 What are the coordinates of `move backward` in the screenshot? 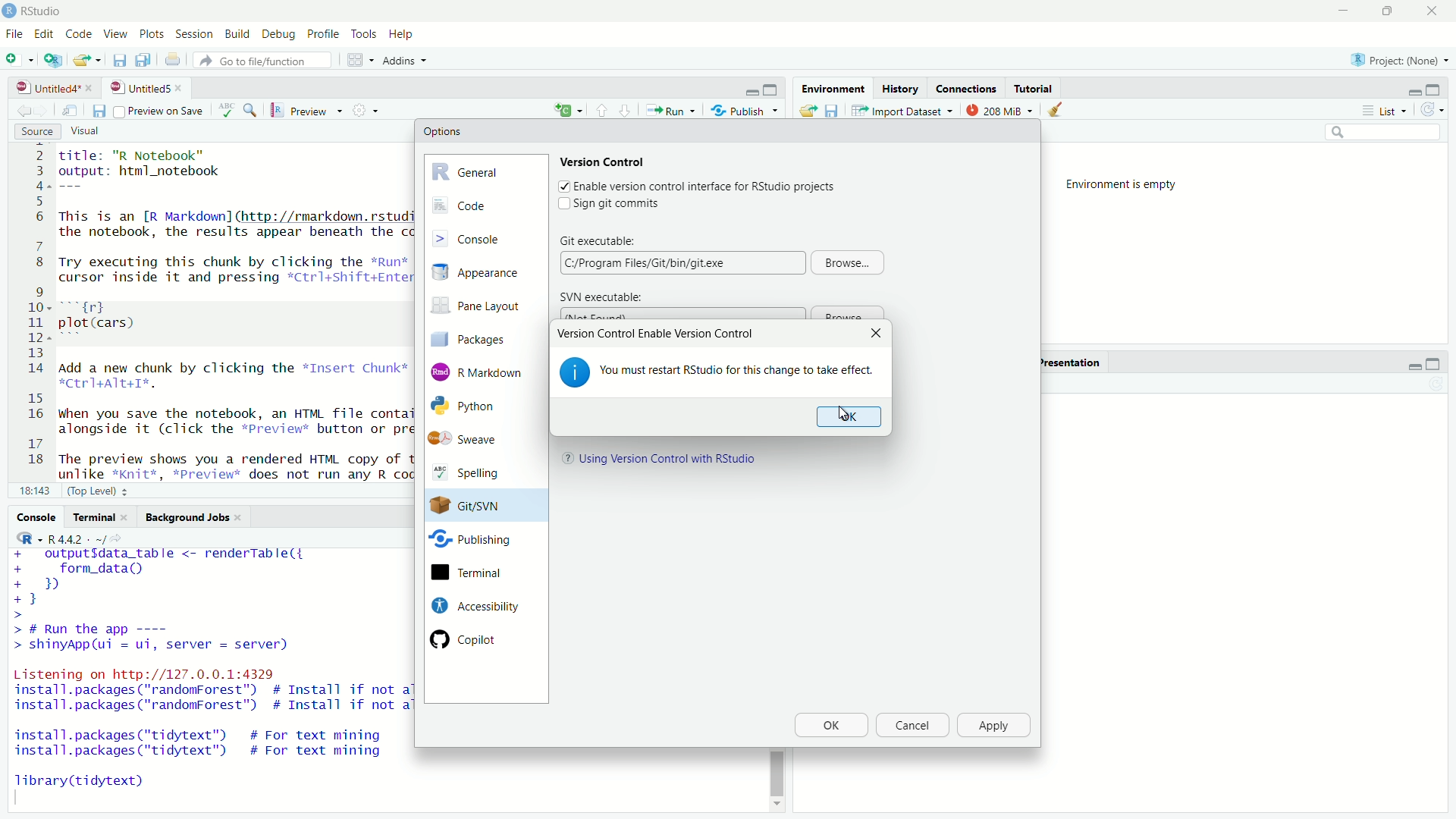 It's located at (44, 110).